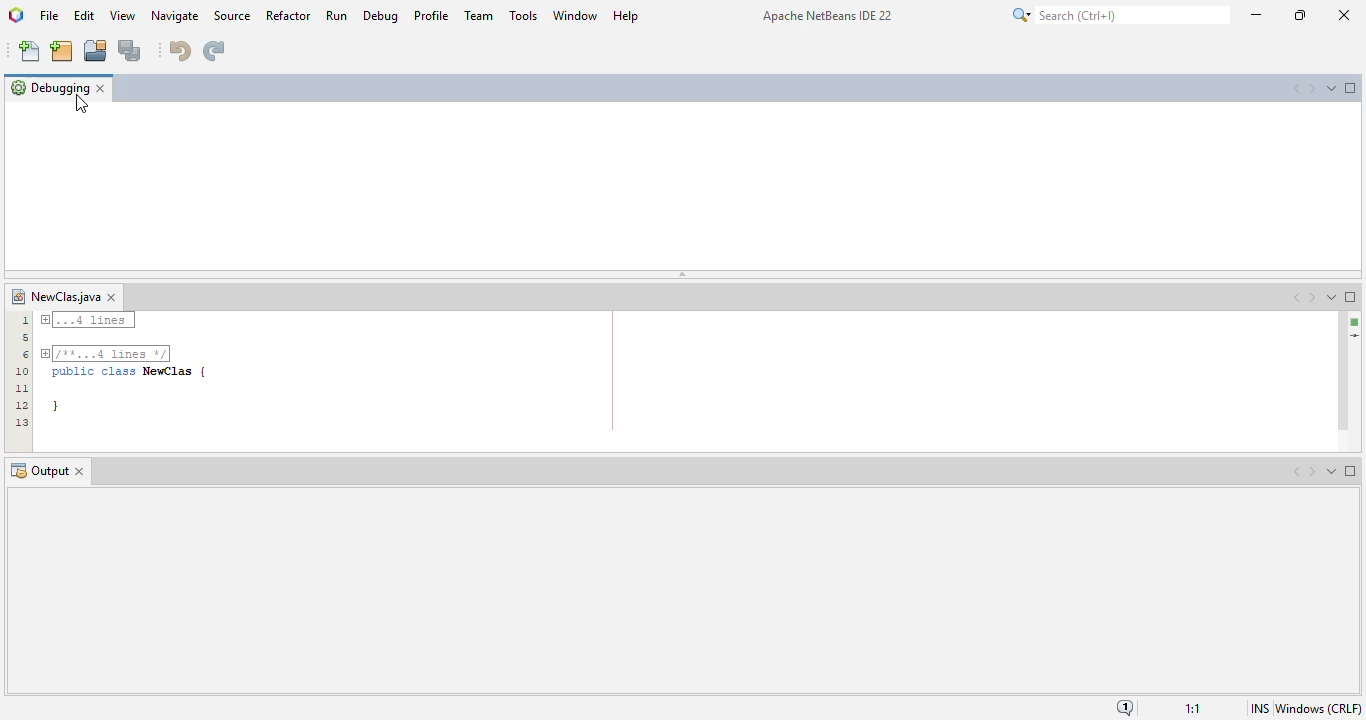  I want to click on maximize window, so click(1351, 471).